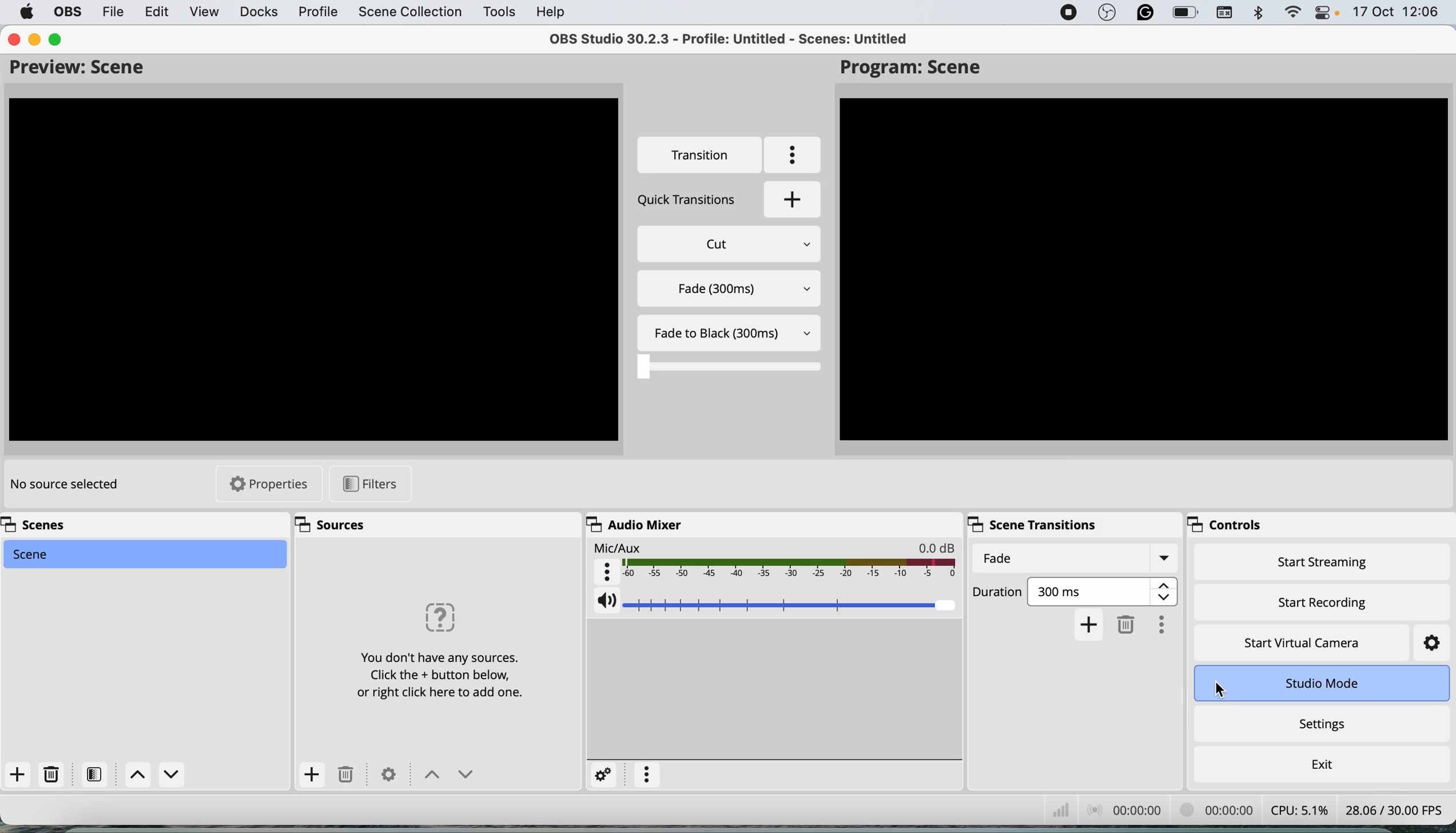 The height and width of the screenshot is (833, 1456). Describe the element at coordinates (67, 12) in the screenshot. I see `obs` at that location.